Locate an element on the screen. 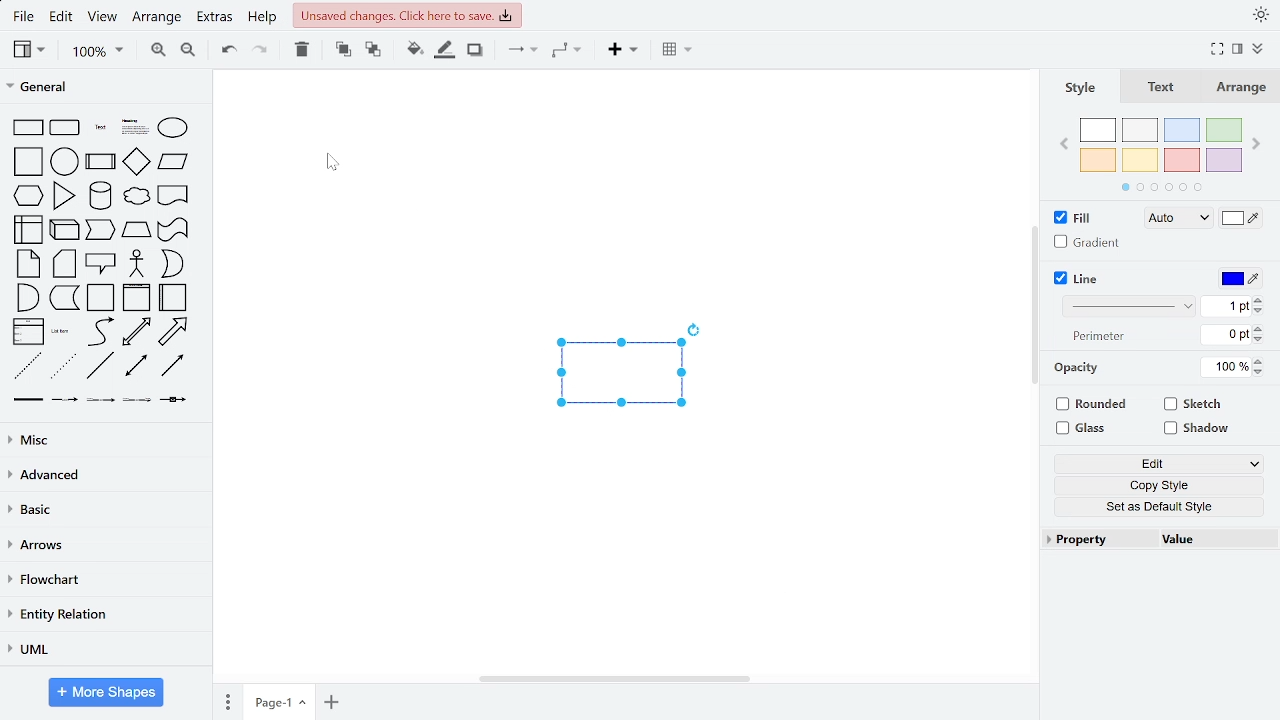 The height and width of the screenshot is (720, 1280). style is located at coordinates (1080, 88).